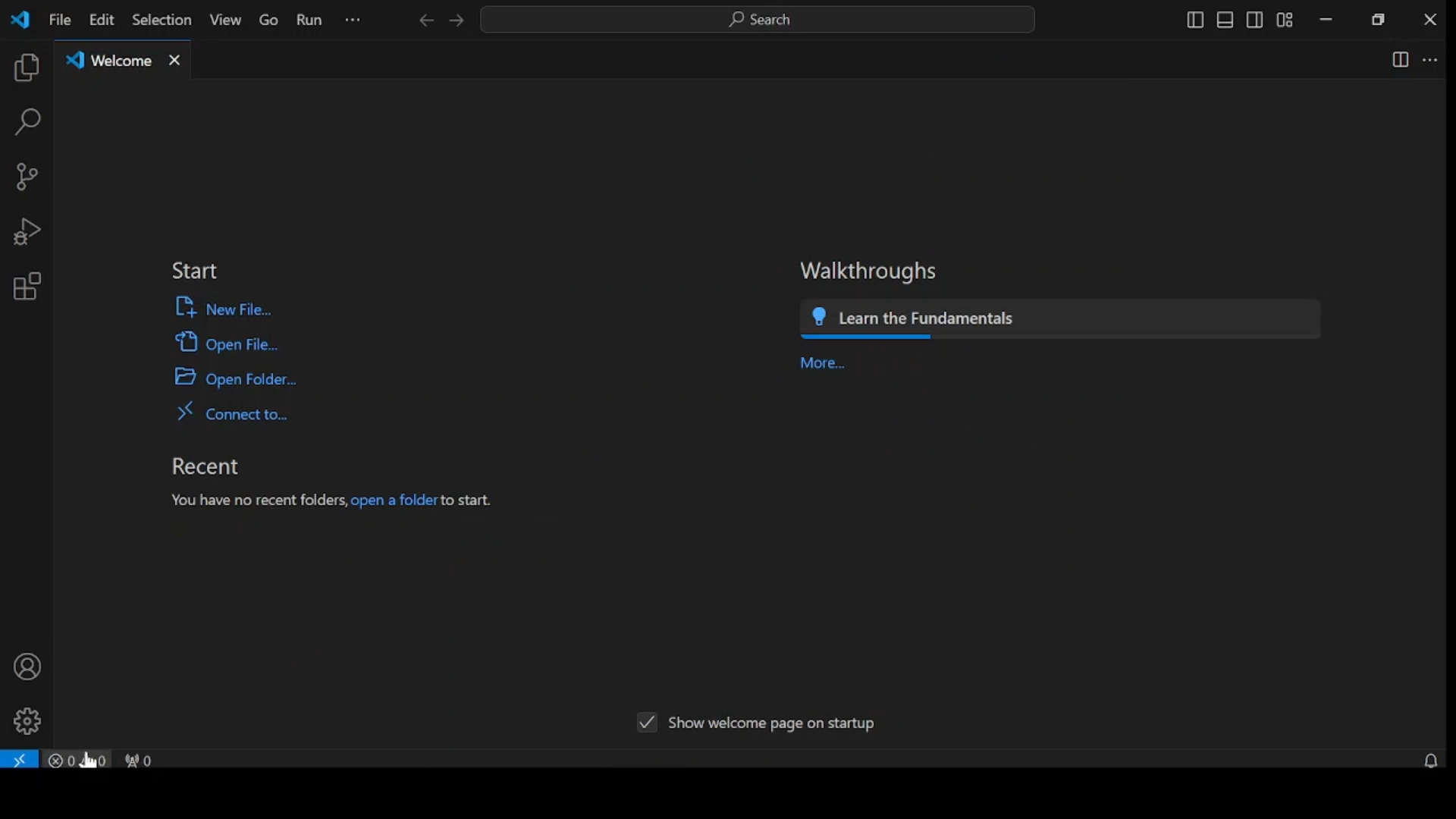 Image resolution: width=1456 pixels, height=819 pixels. I want to click on extensions, so click(25, 286).